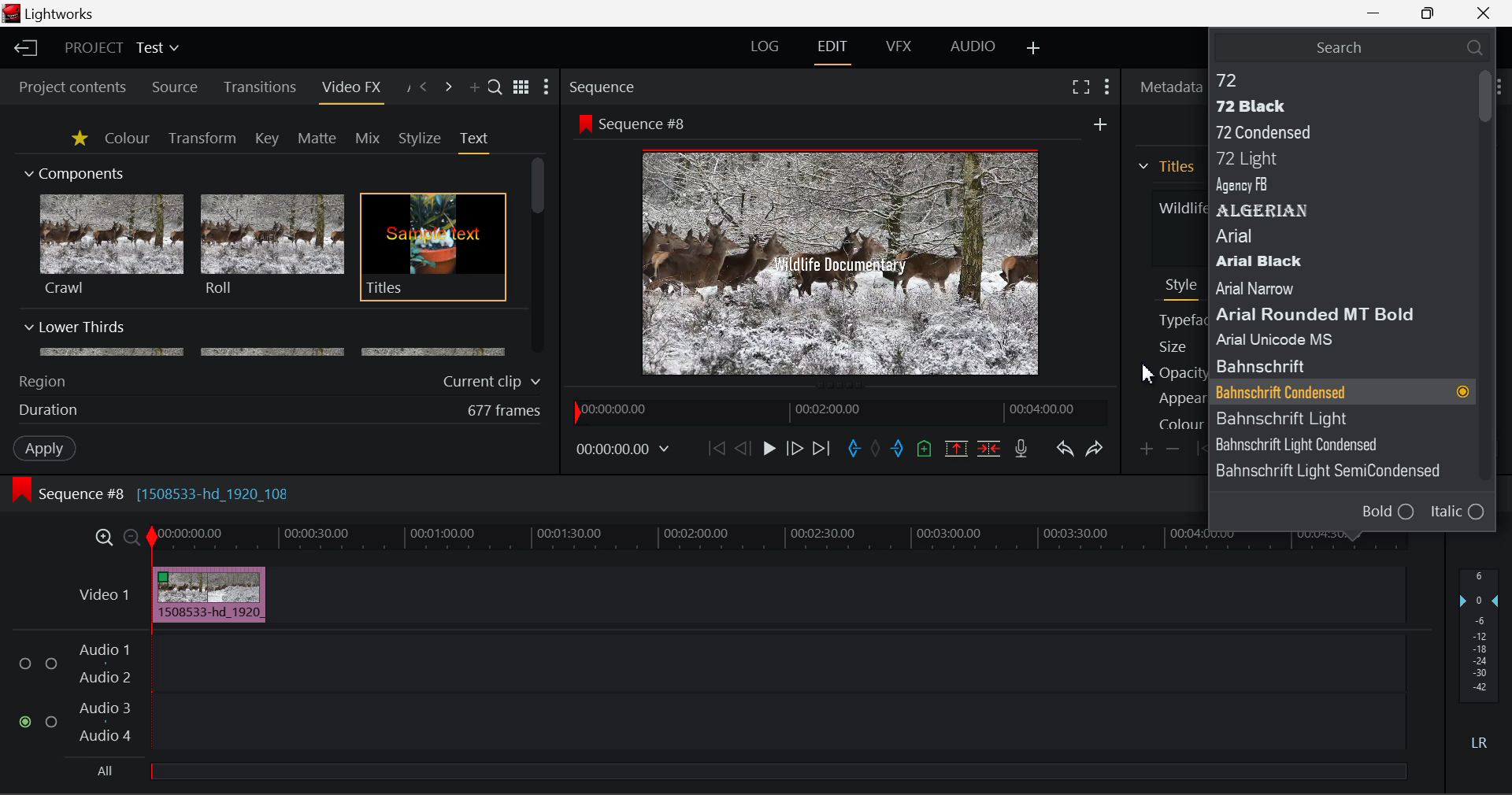  I want to click on Colour, so click(127, 137).